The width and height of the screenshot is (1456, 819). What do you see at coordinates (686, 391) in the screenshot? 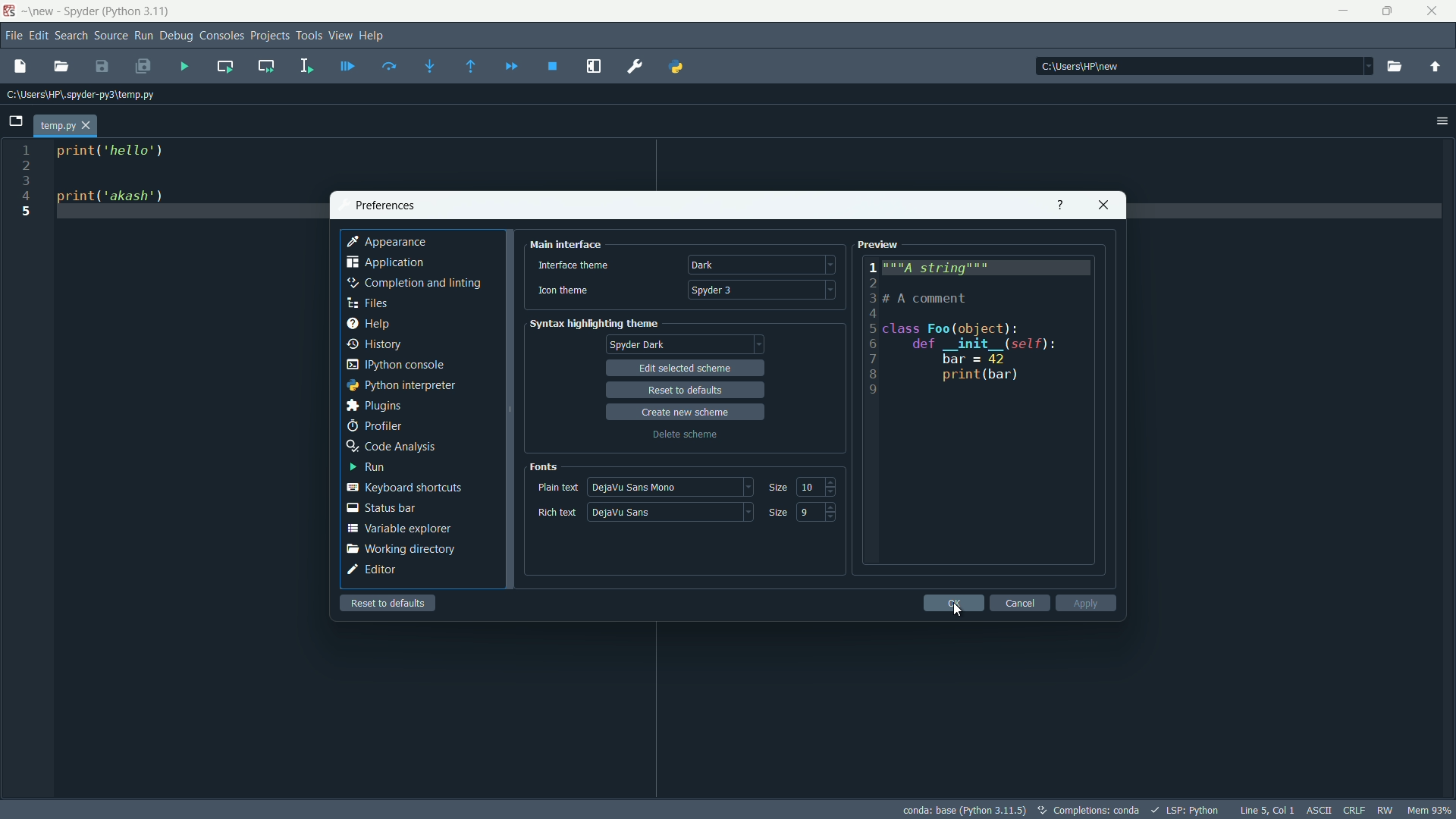
I see `reset to defaults` at bounding box center [686, 391].